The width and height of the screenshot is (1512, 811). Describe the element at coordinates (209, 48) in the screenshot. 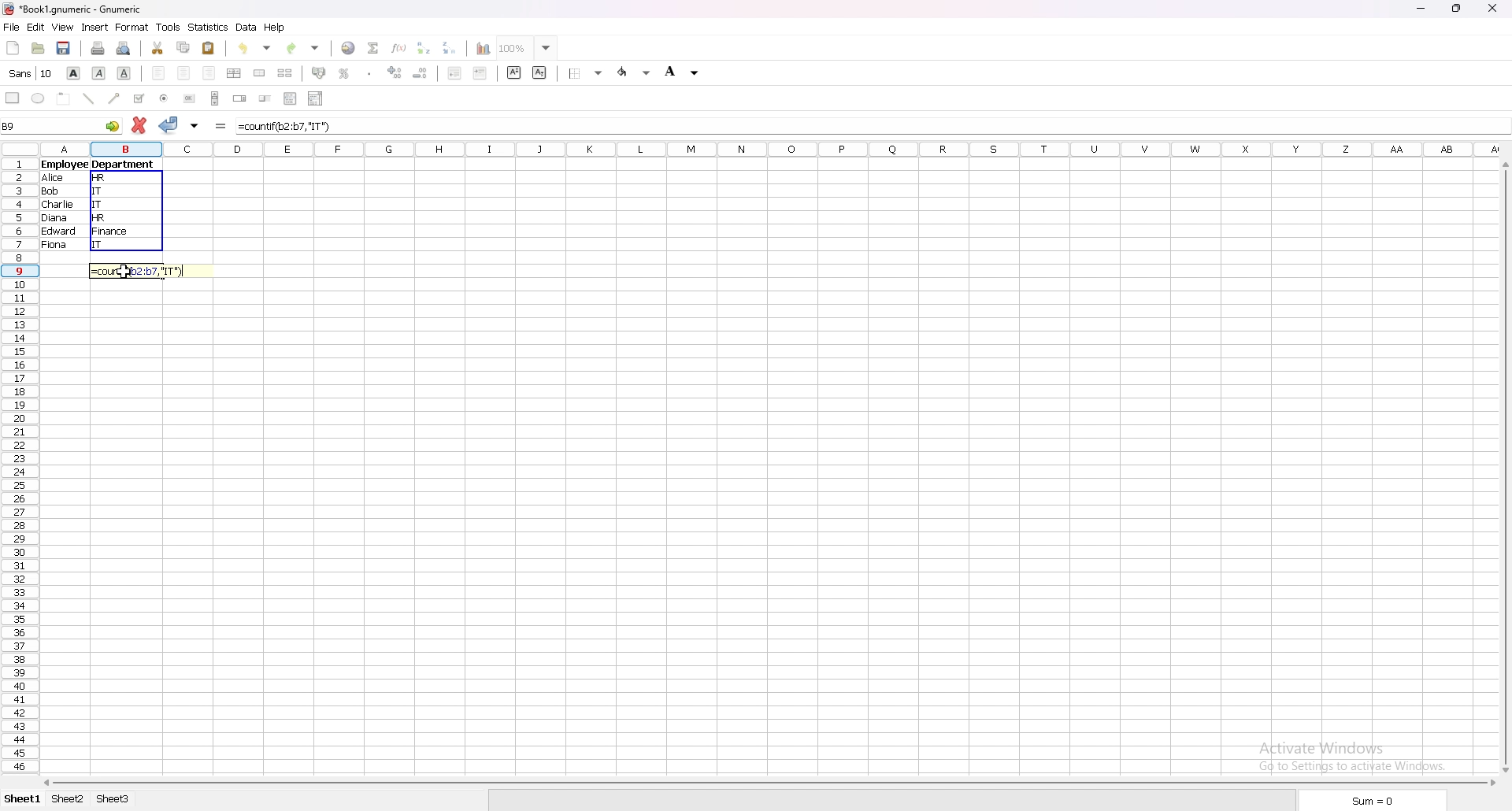

I see `paste` at that location.